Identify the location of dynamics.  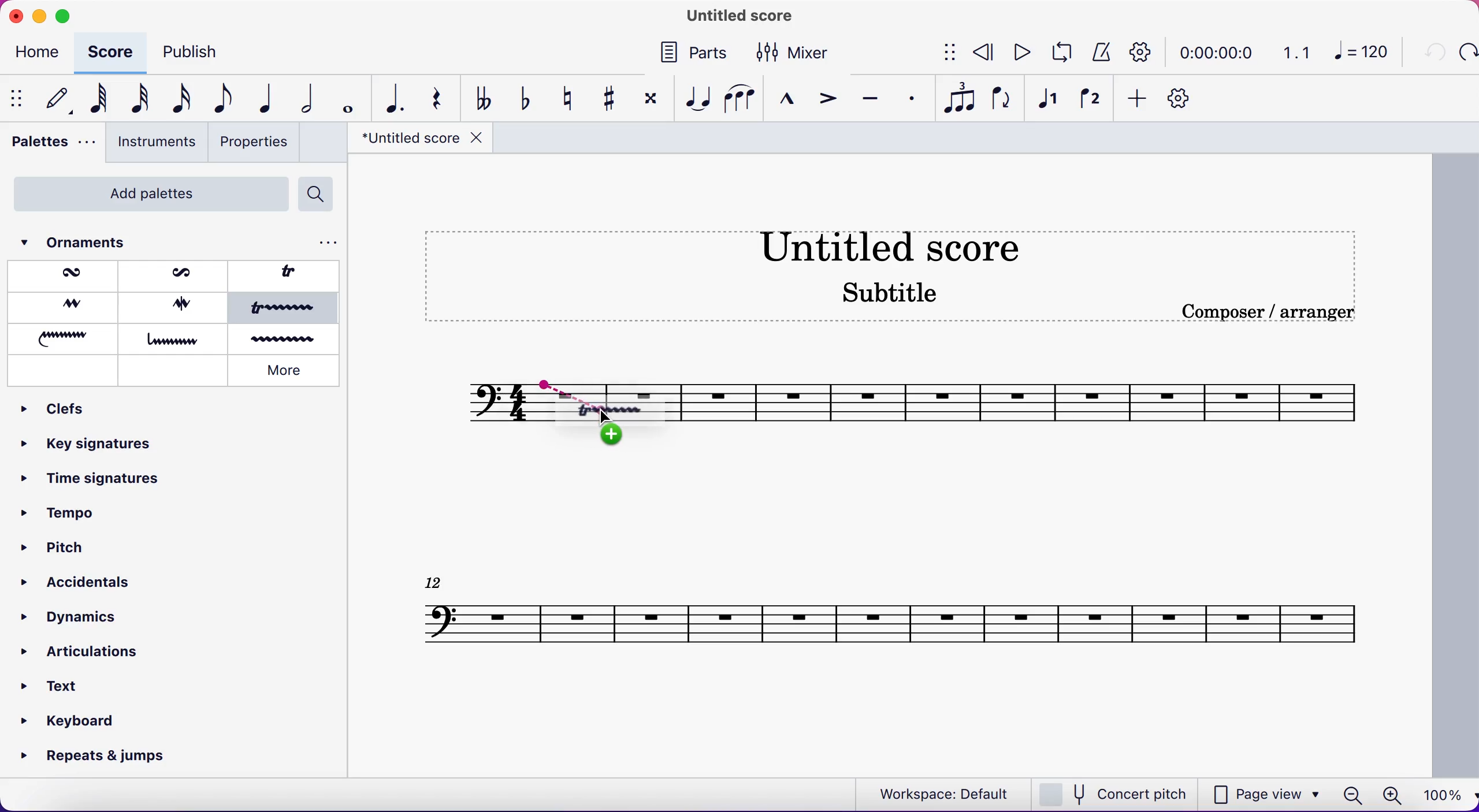
(73, 617).